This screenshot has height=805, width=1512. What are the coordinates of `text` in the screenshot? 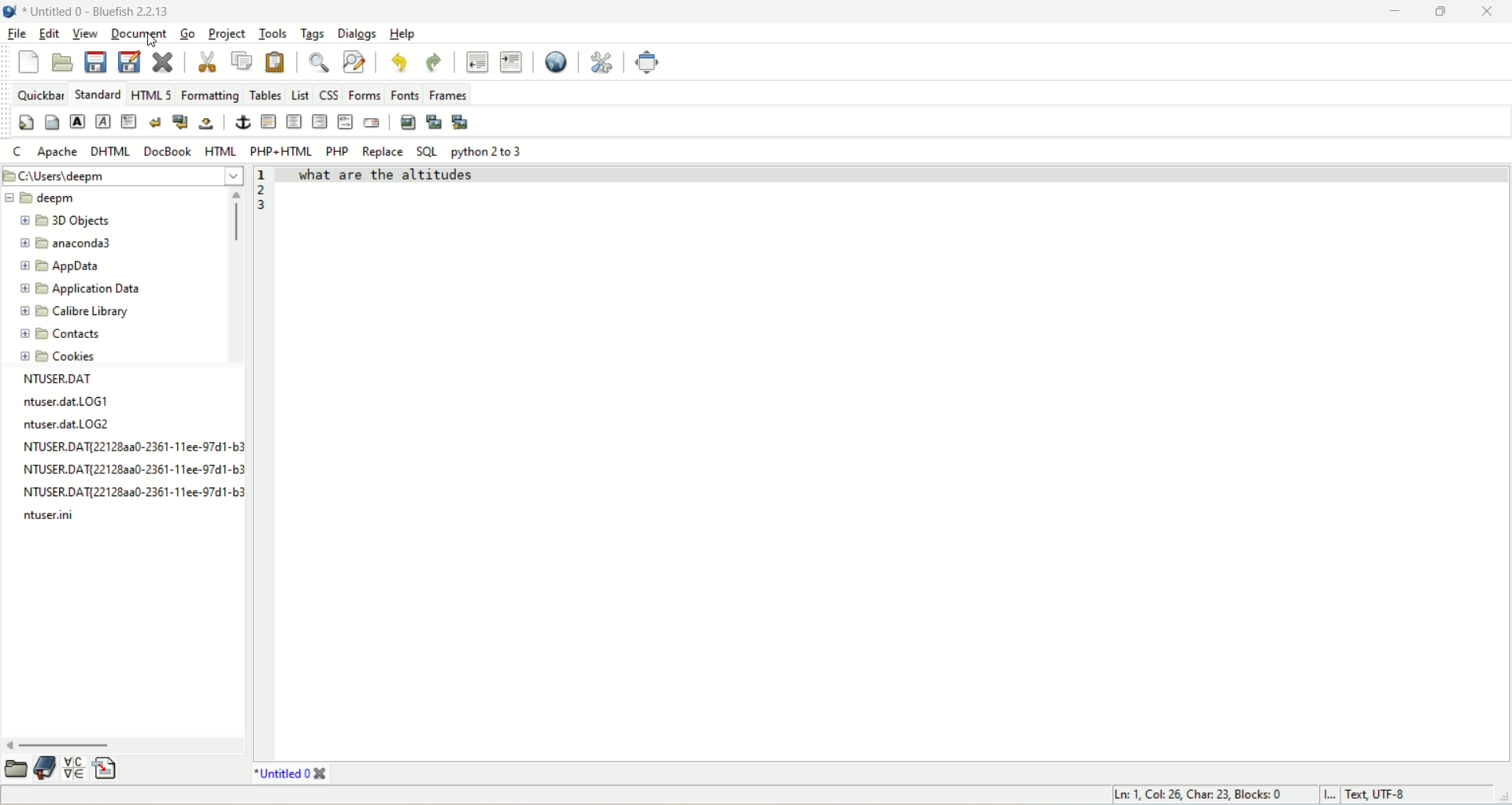 It's located at (123, 451).